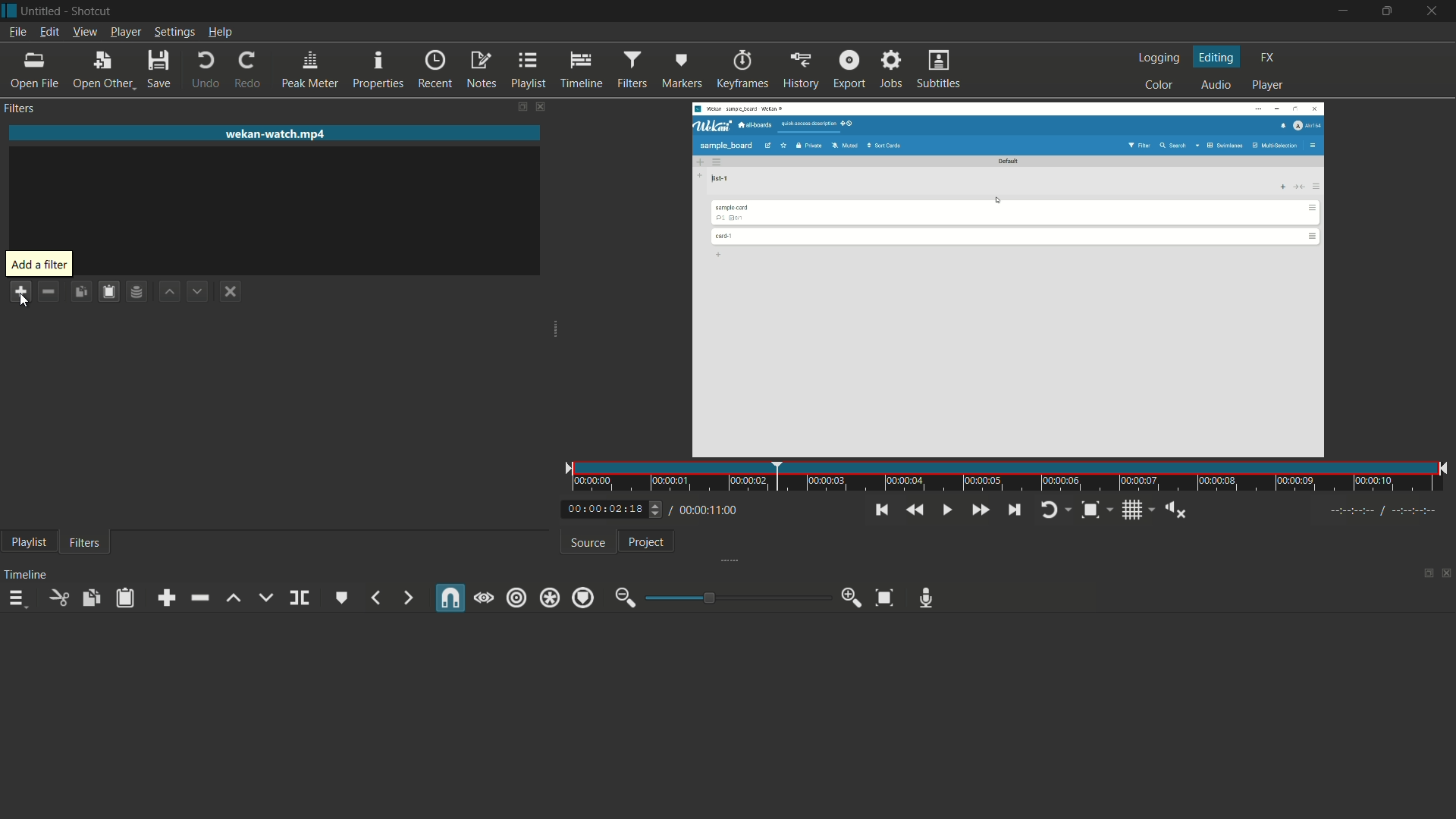  What do you see at coordinates (913, 510) in the screenshot?
I see `quickly play backward` at bounding box center [913, 510].